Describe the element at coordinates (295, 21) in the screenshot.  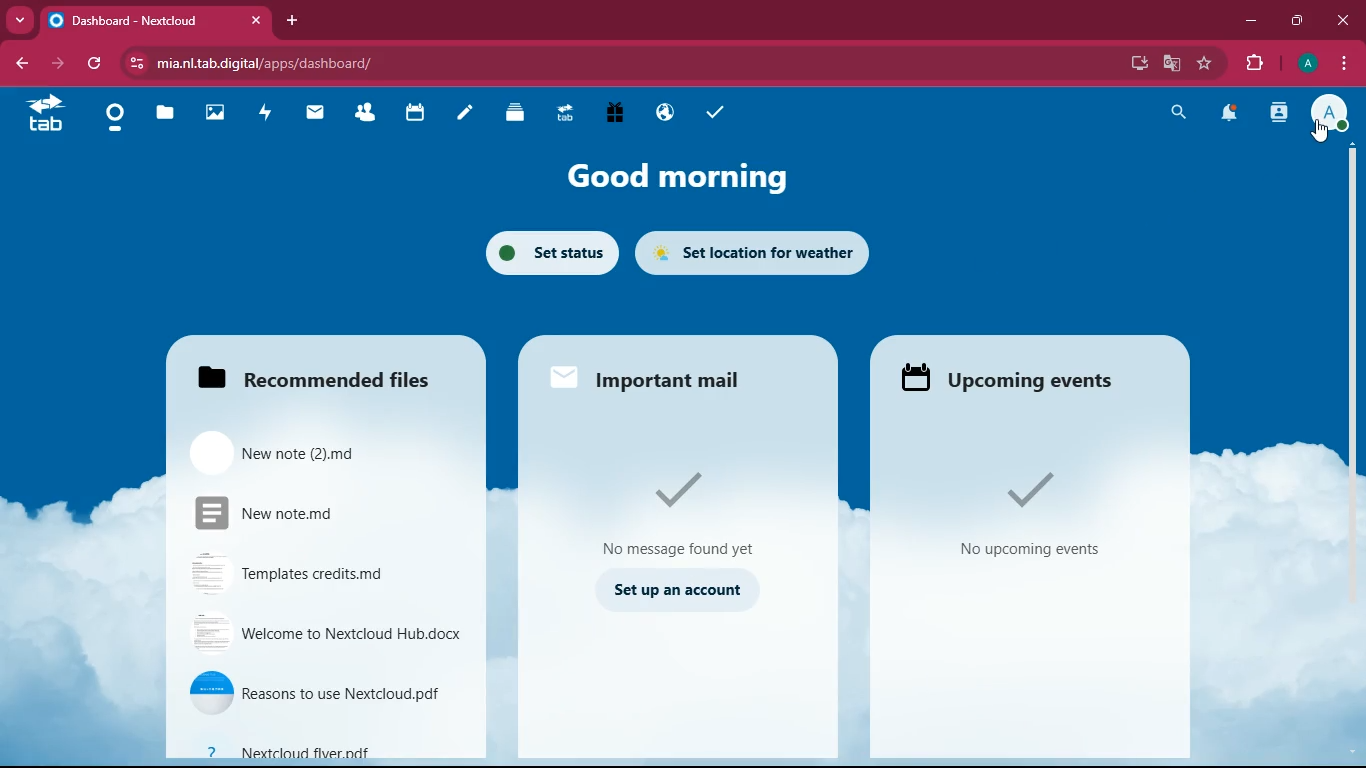
I see `add tab` at that location.